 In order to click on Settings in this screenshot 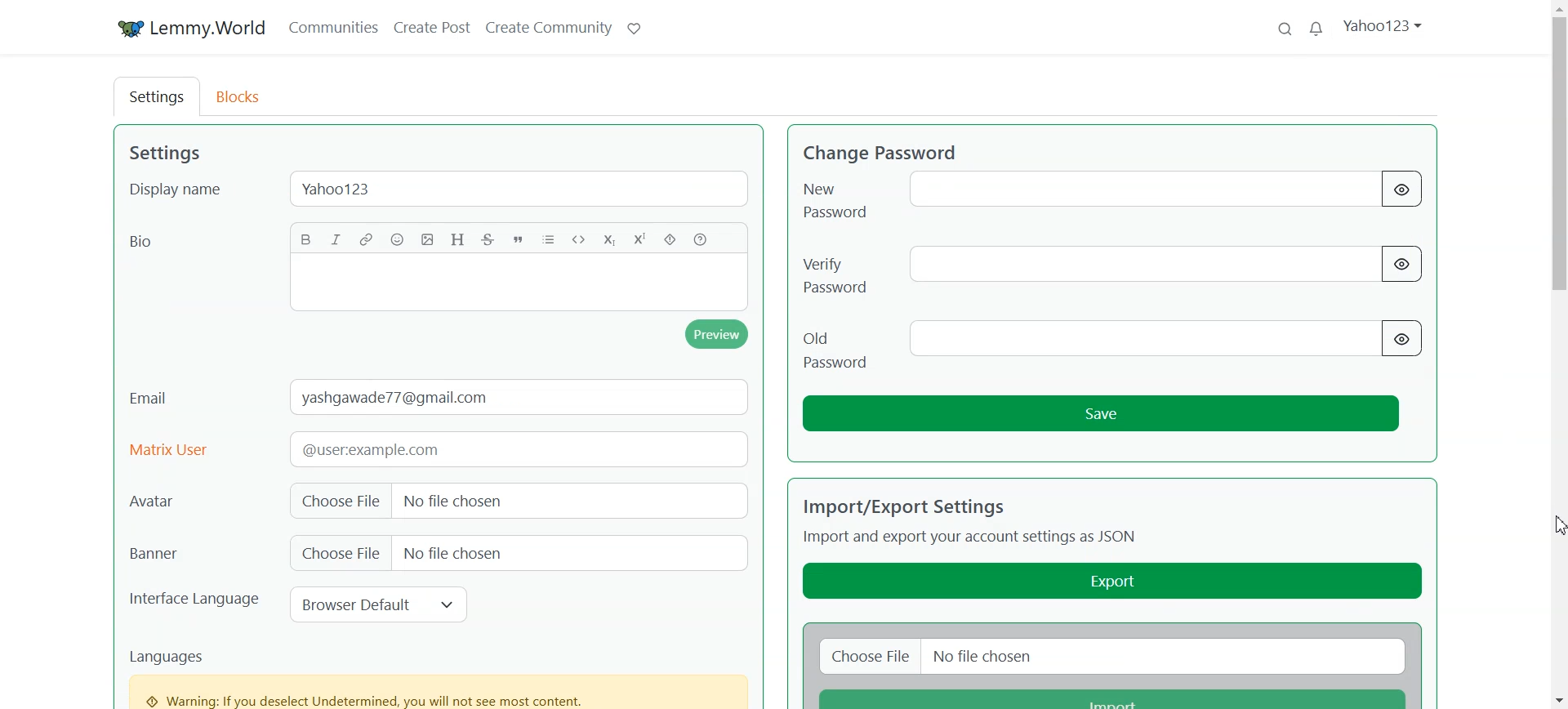, I will do `click(170, 154)`.